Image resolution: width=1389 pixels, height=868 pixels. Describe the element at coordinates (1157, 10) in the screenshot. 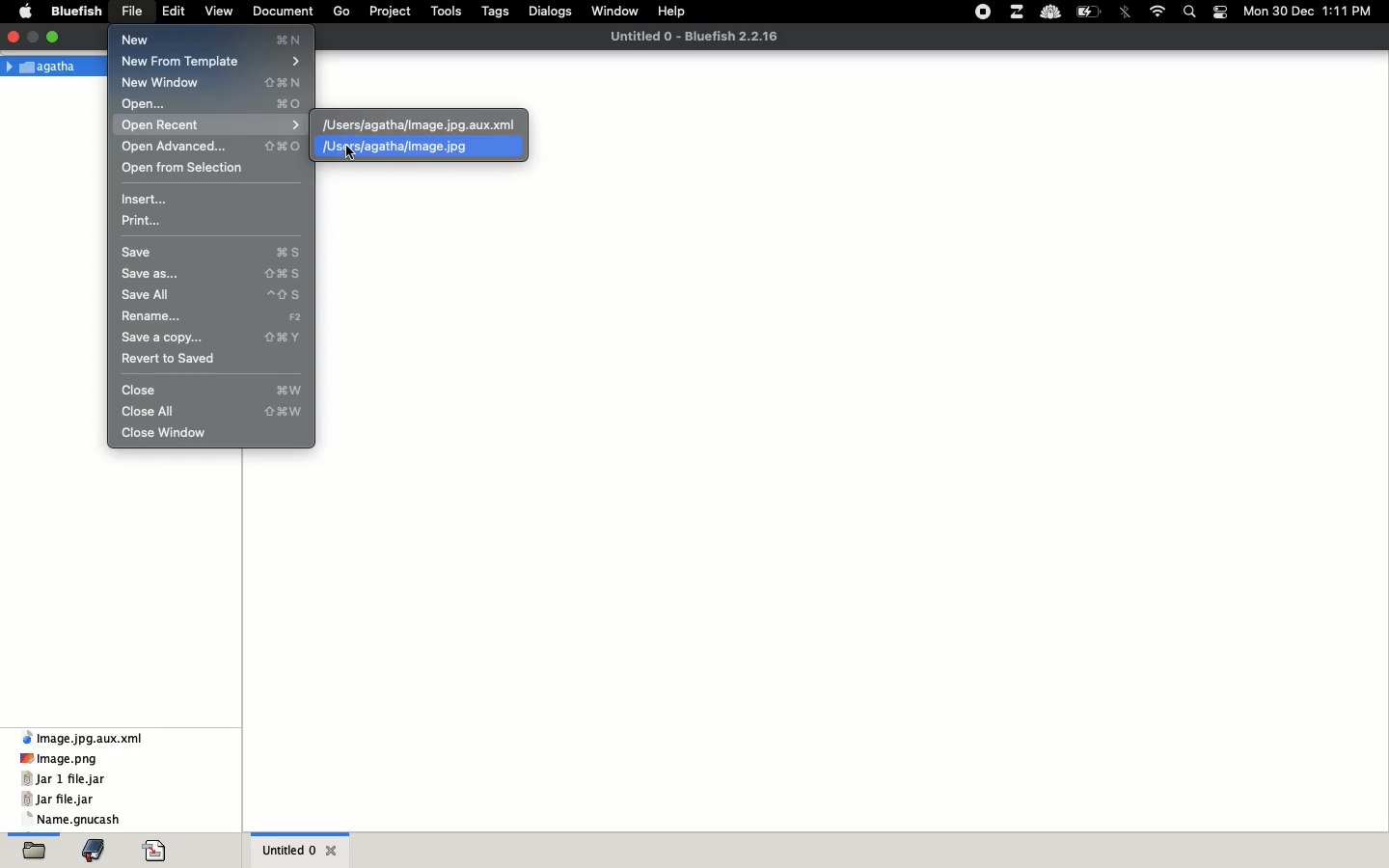

I see `internet` at that location.